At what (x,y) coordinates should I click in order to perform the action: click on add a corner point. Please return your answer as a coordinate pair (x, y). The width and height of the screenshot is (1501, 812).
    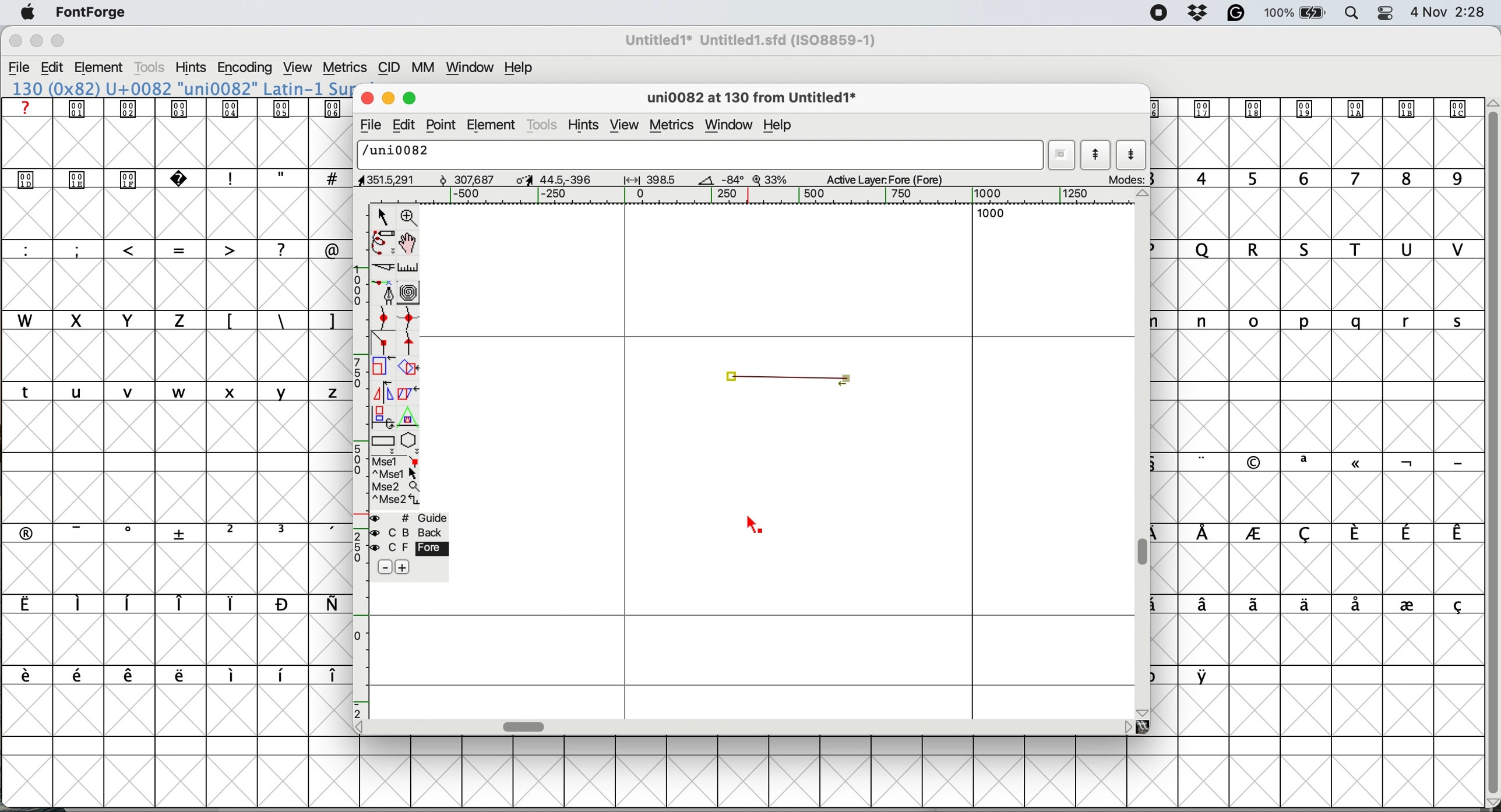
    Looking at the image, I should click on (383, 344).